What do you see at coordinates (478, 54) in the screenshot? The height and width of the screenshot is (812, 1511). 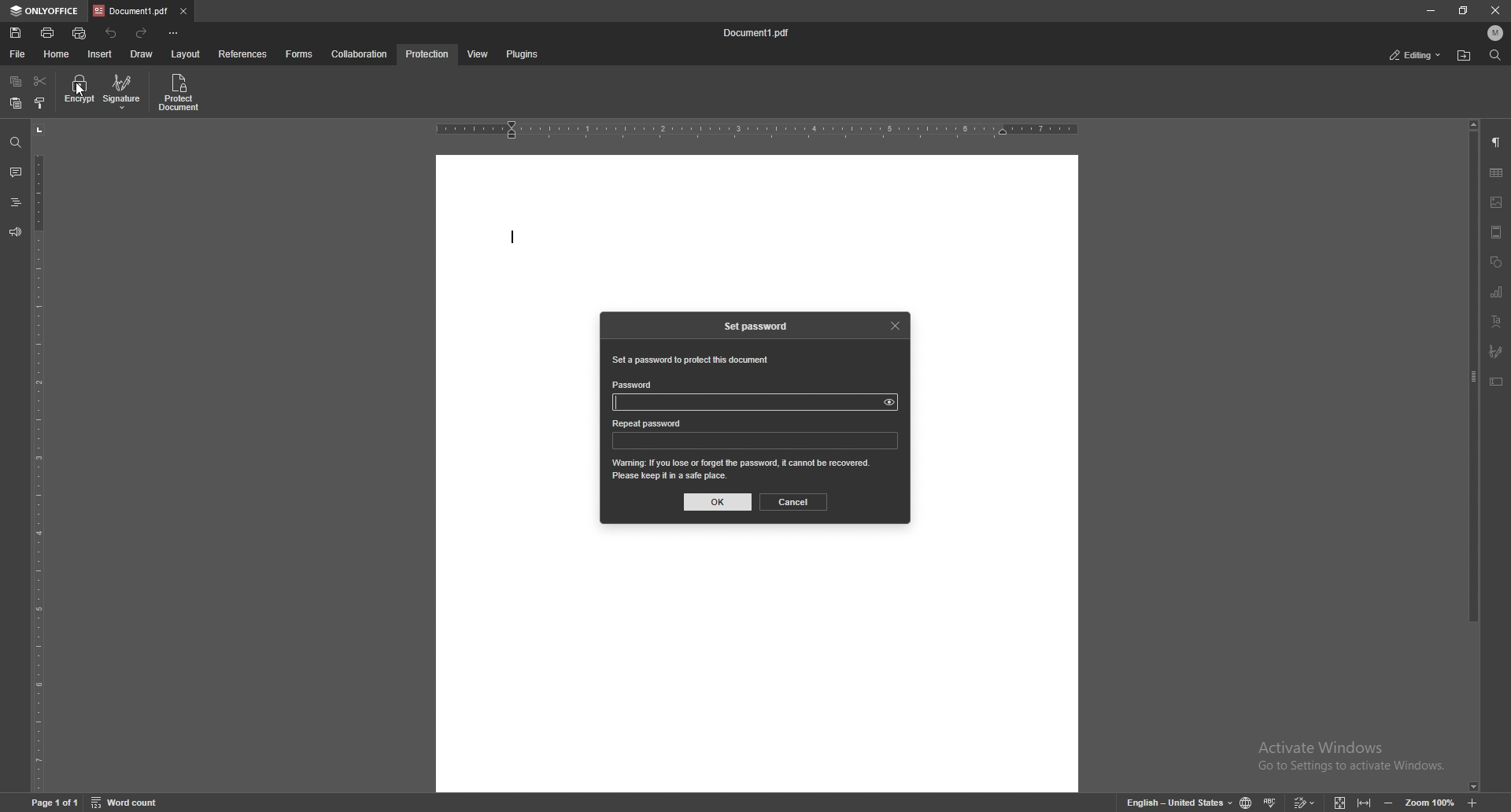 I see `view` at bounding box center [478, 54].